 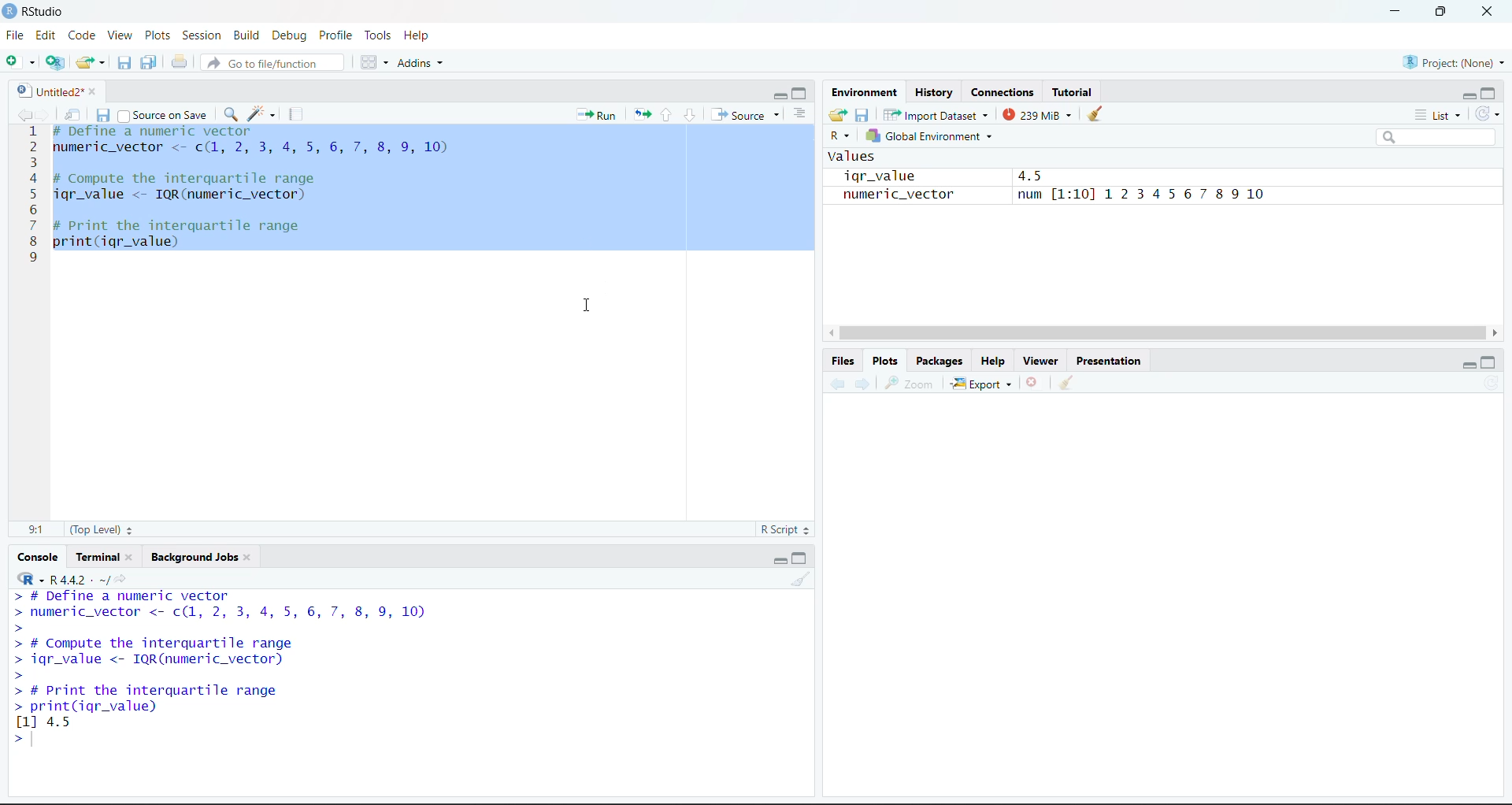 I want to click on (Top Level), so click(x=103, y=529).